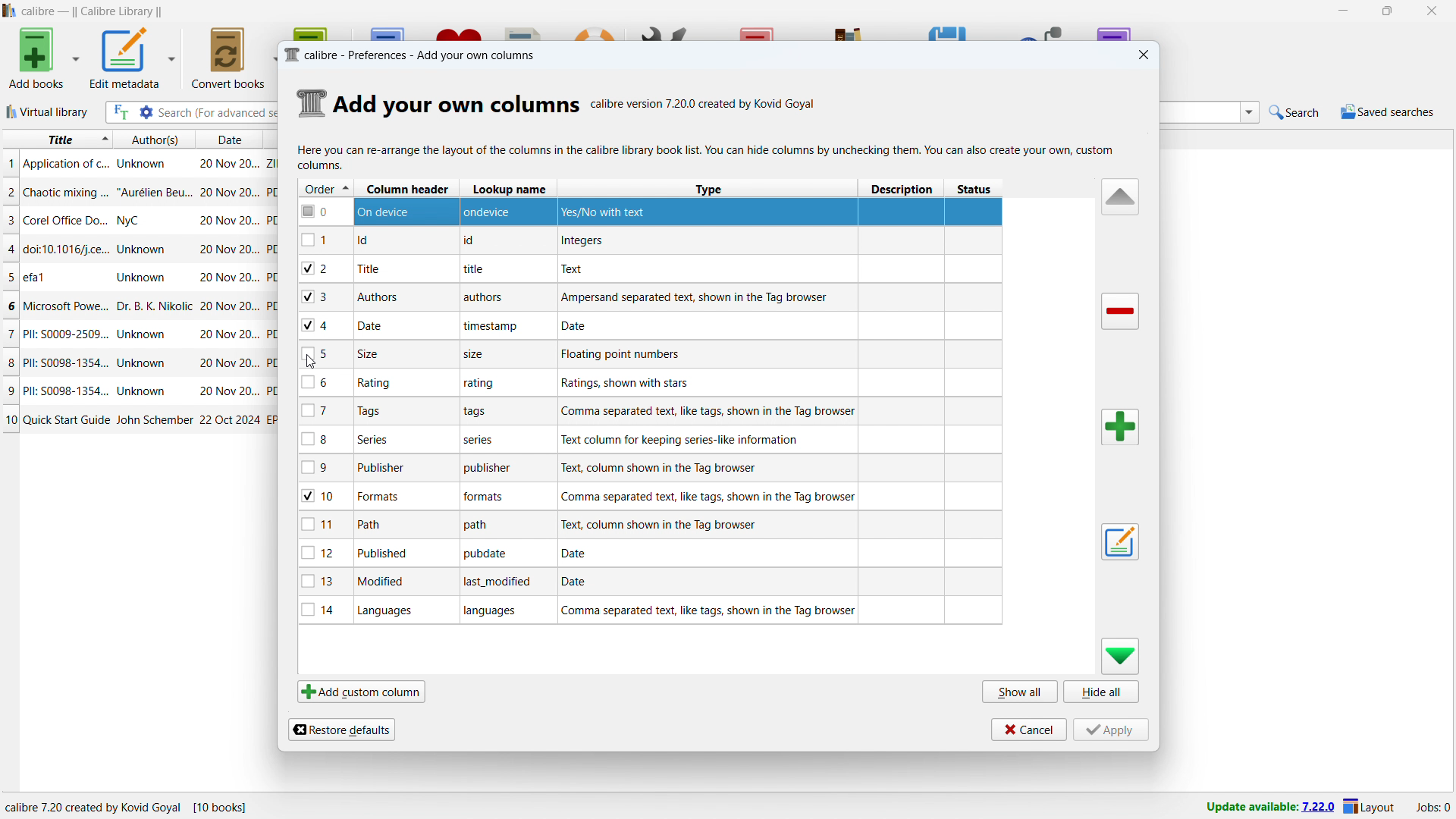 This screenshot has width=1456, height=819. Describe the element at coordinates (360, 692) in the screenshot. I see `add custom column` at that location.